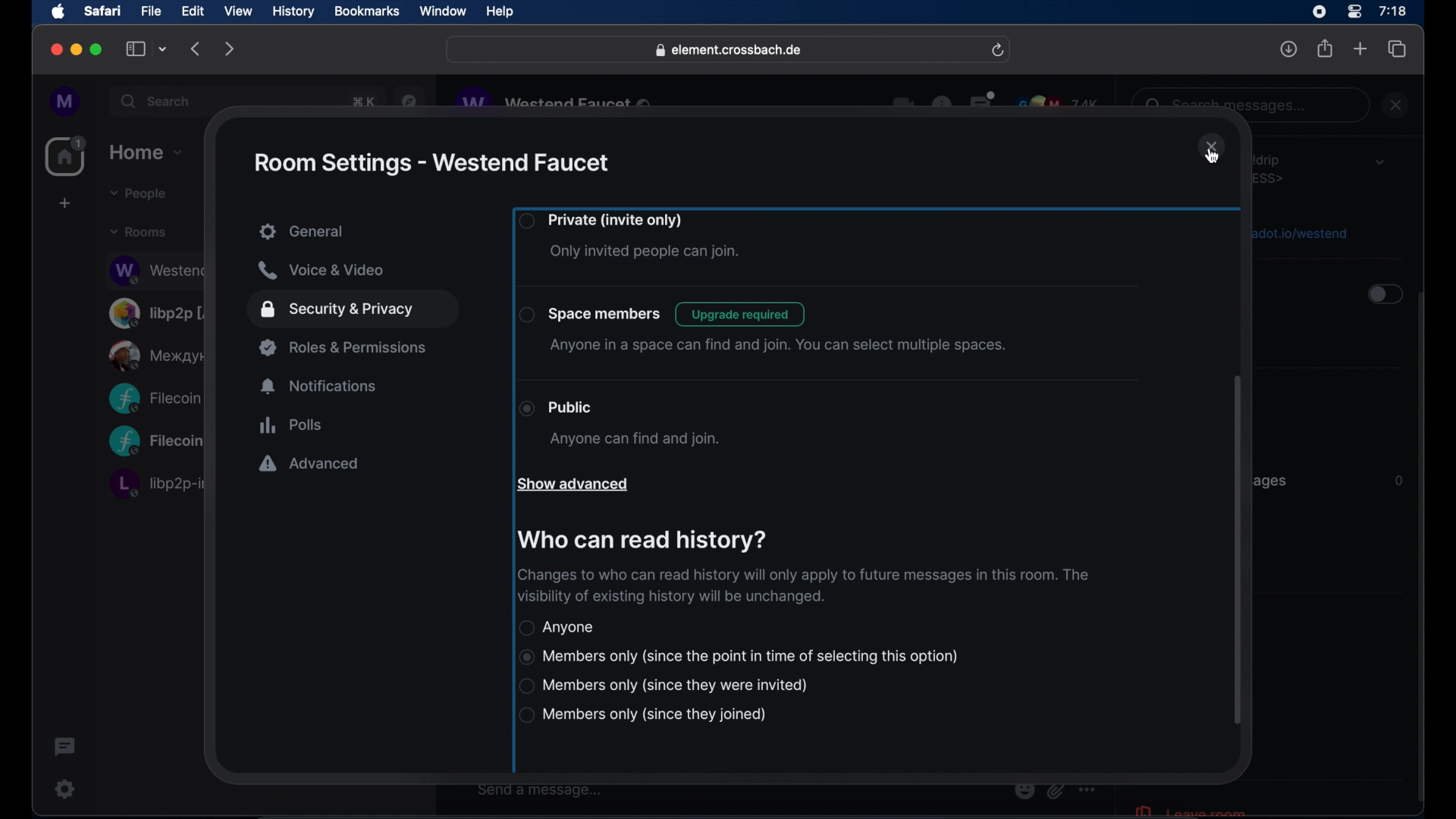 This screenshot has width=1456, height=819. I want to click on backward, so click(196, 49).